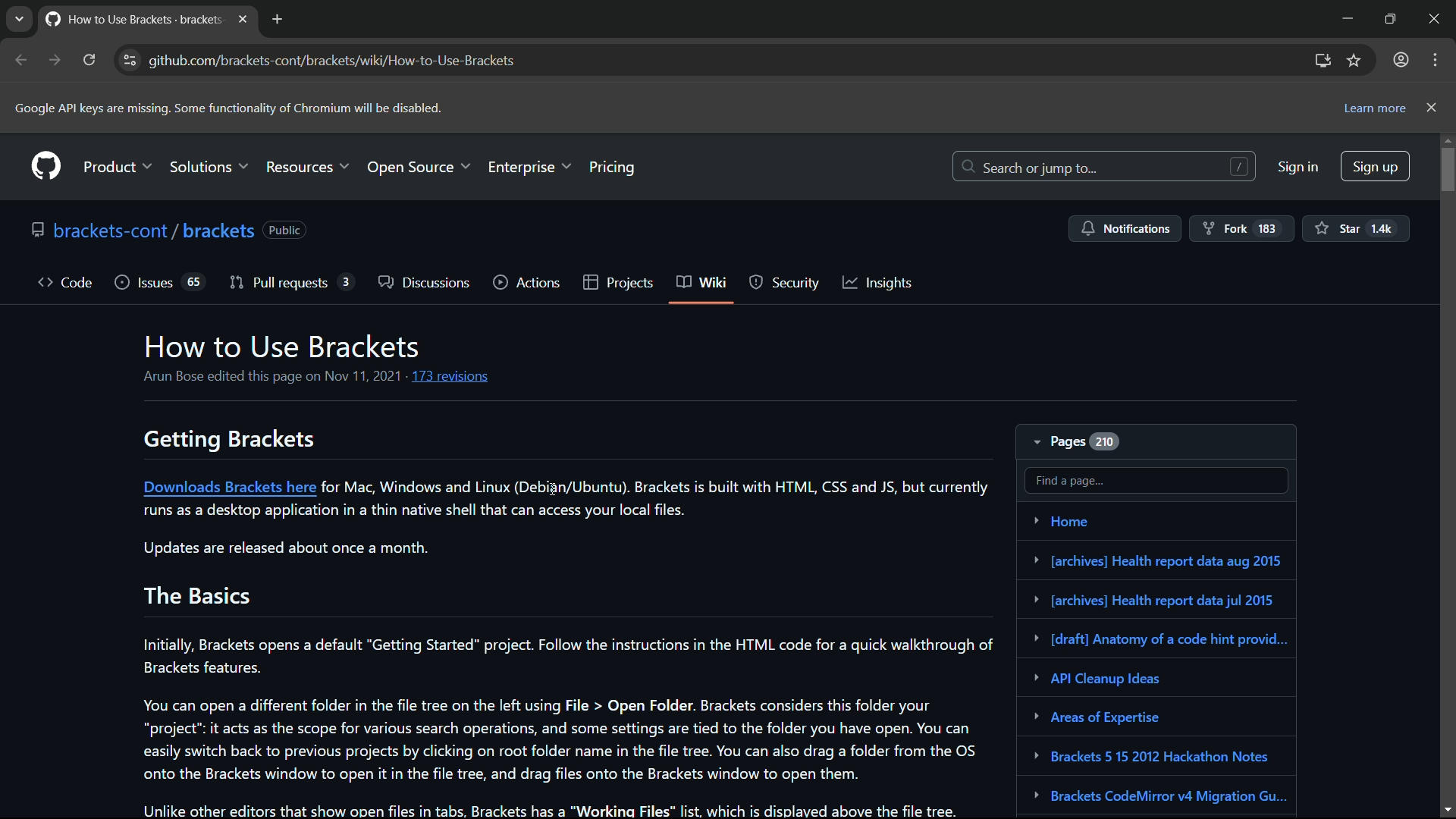 This screenshot has width=1456, height=819. What do you see at coordinates (119, 164) in the screenshot?
I see `product` at bounding box center [119, 164].